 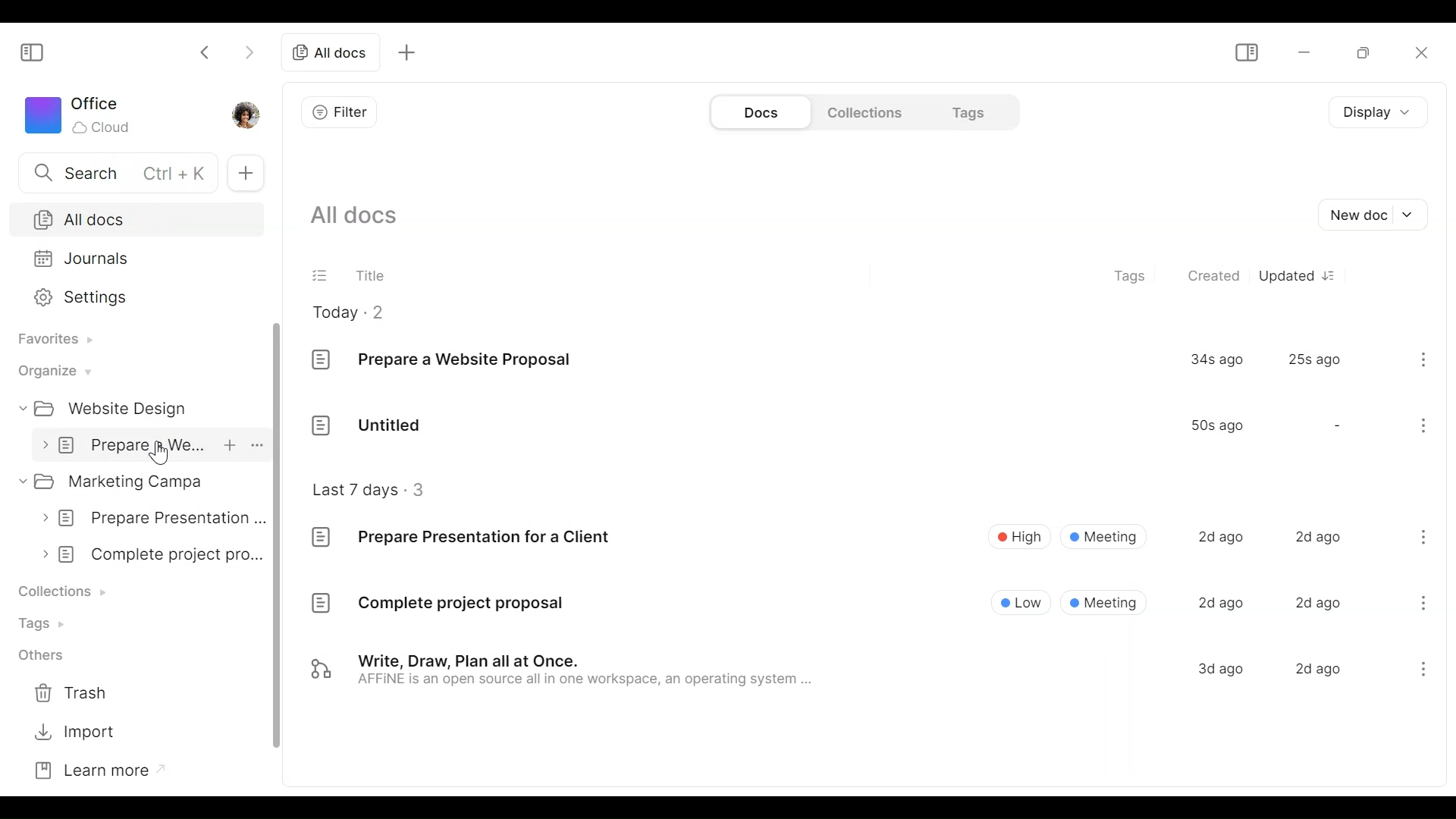 What do you see at coordinates (40, 626) in the screenshot?
I see `Tags` at bounding box center [40, 626].